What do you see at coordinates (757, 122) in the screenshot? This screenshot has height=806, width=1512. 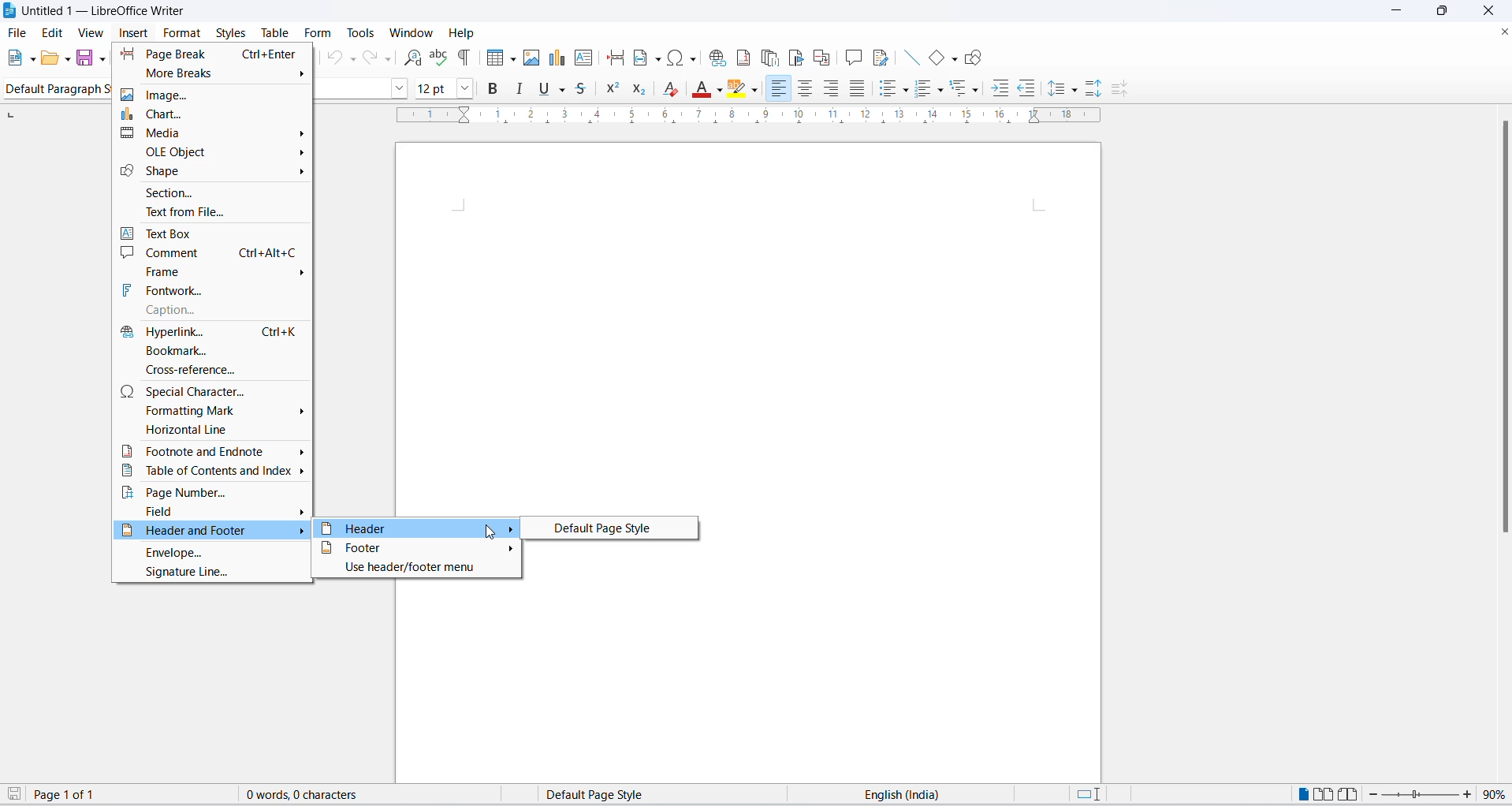 I see `scaling` at bounding box center [757, 122].